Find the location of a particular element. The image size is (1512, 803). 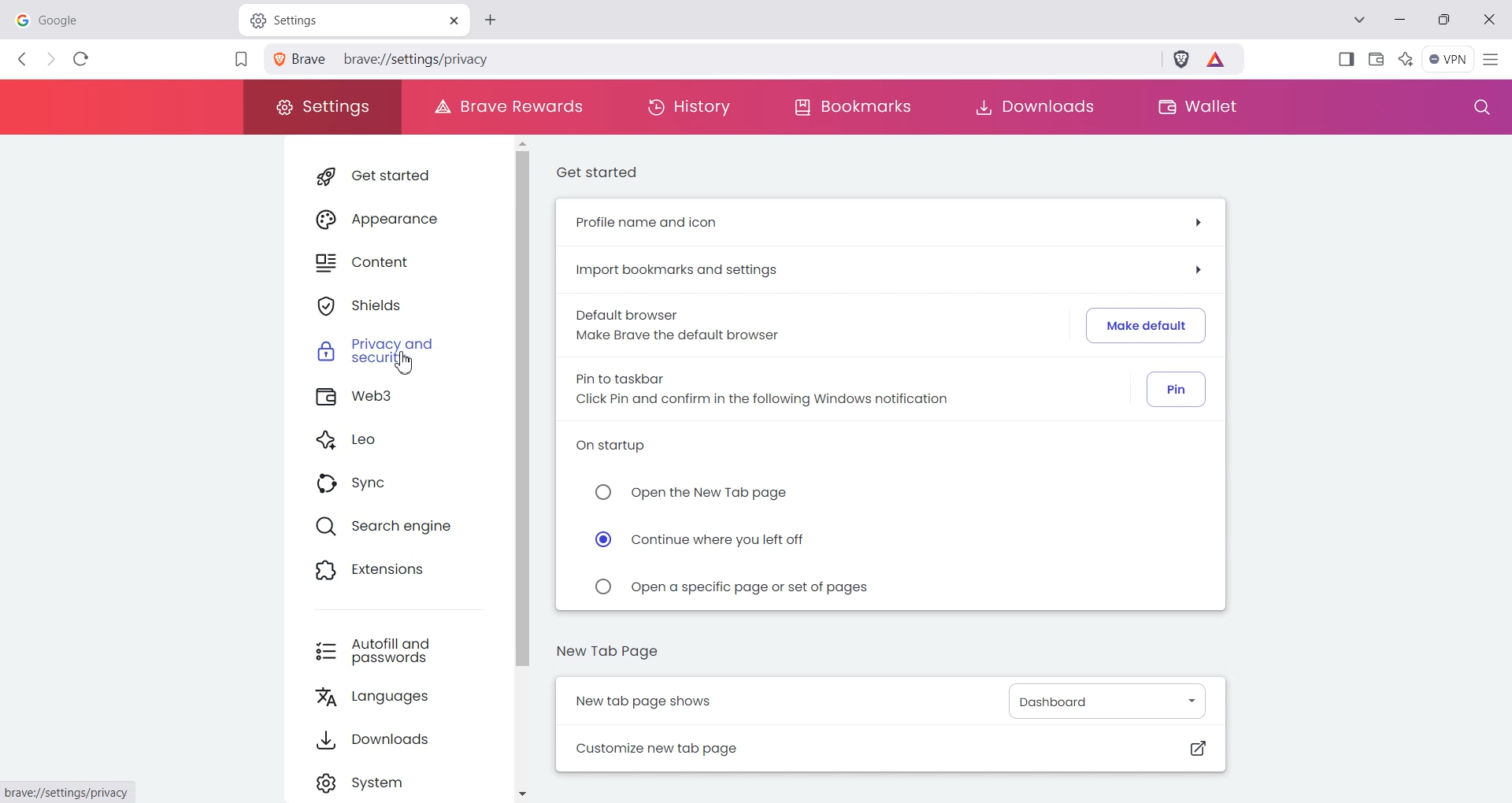

Downloads is located at coordinates (396, 743).